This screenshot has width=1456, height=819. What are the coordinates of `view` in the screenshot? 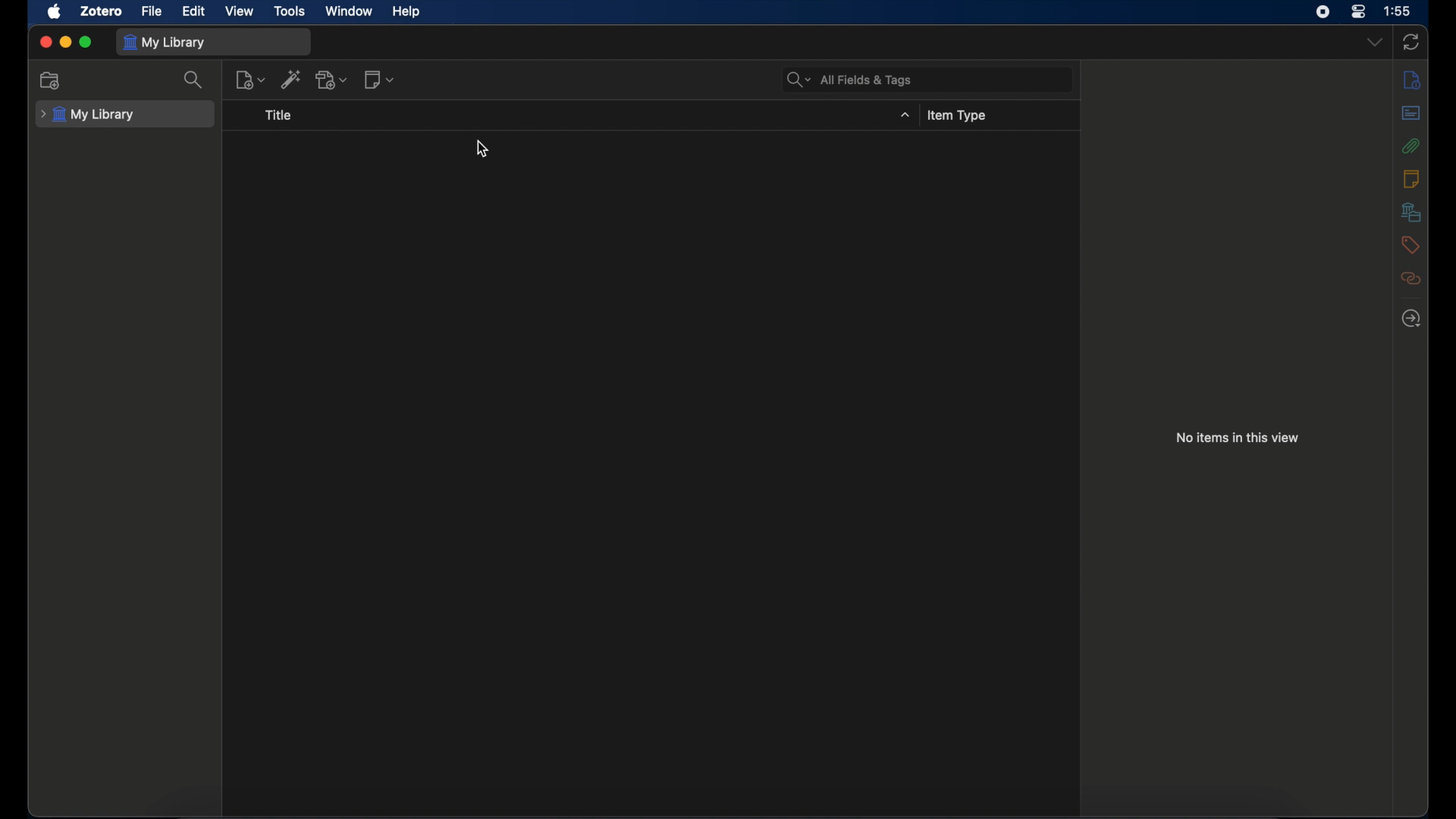 It's located at (240, 12).